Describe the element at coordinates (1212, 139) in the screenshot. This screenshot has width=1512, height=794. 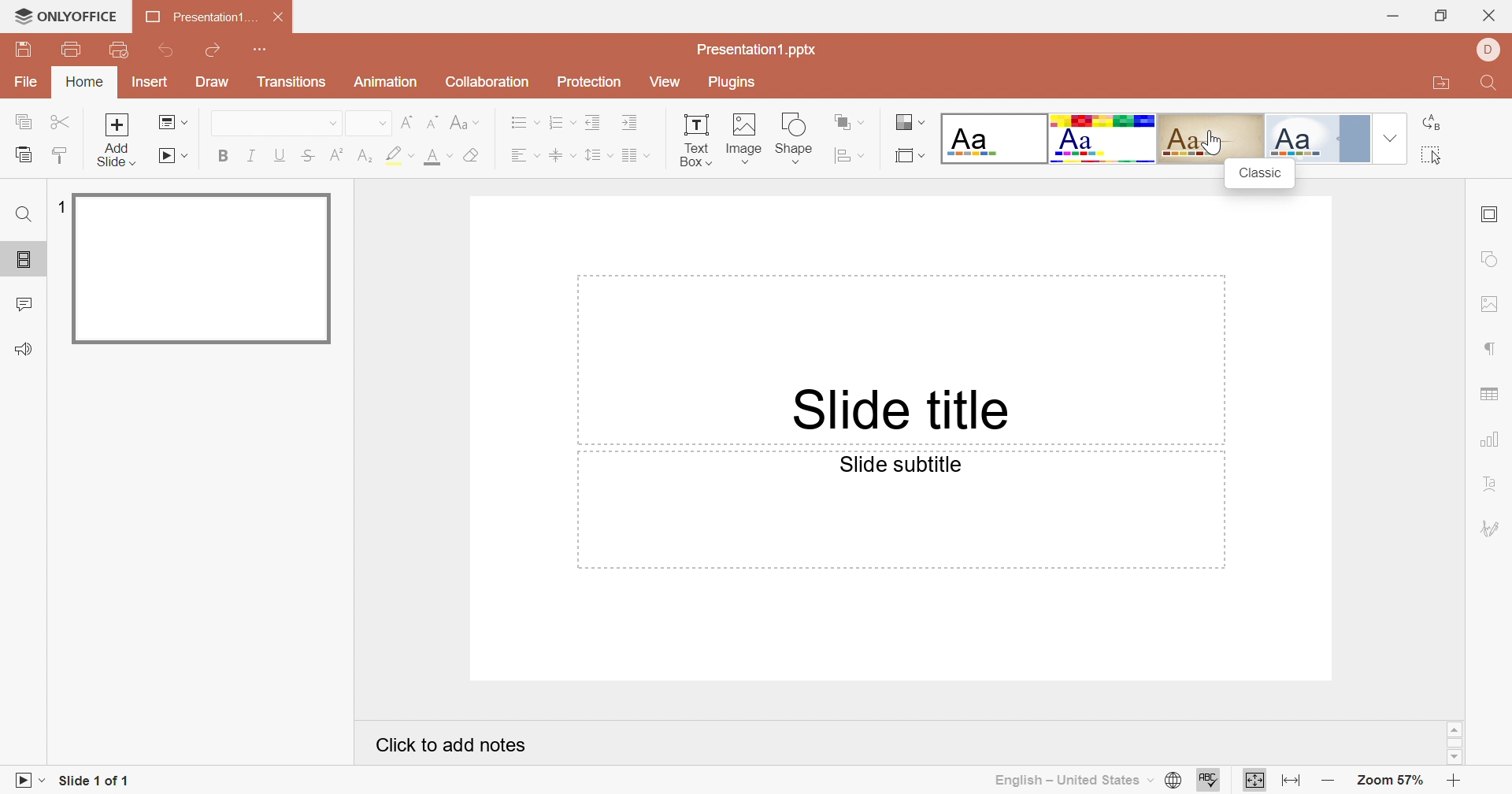
I see `Classic` at that location.